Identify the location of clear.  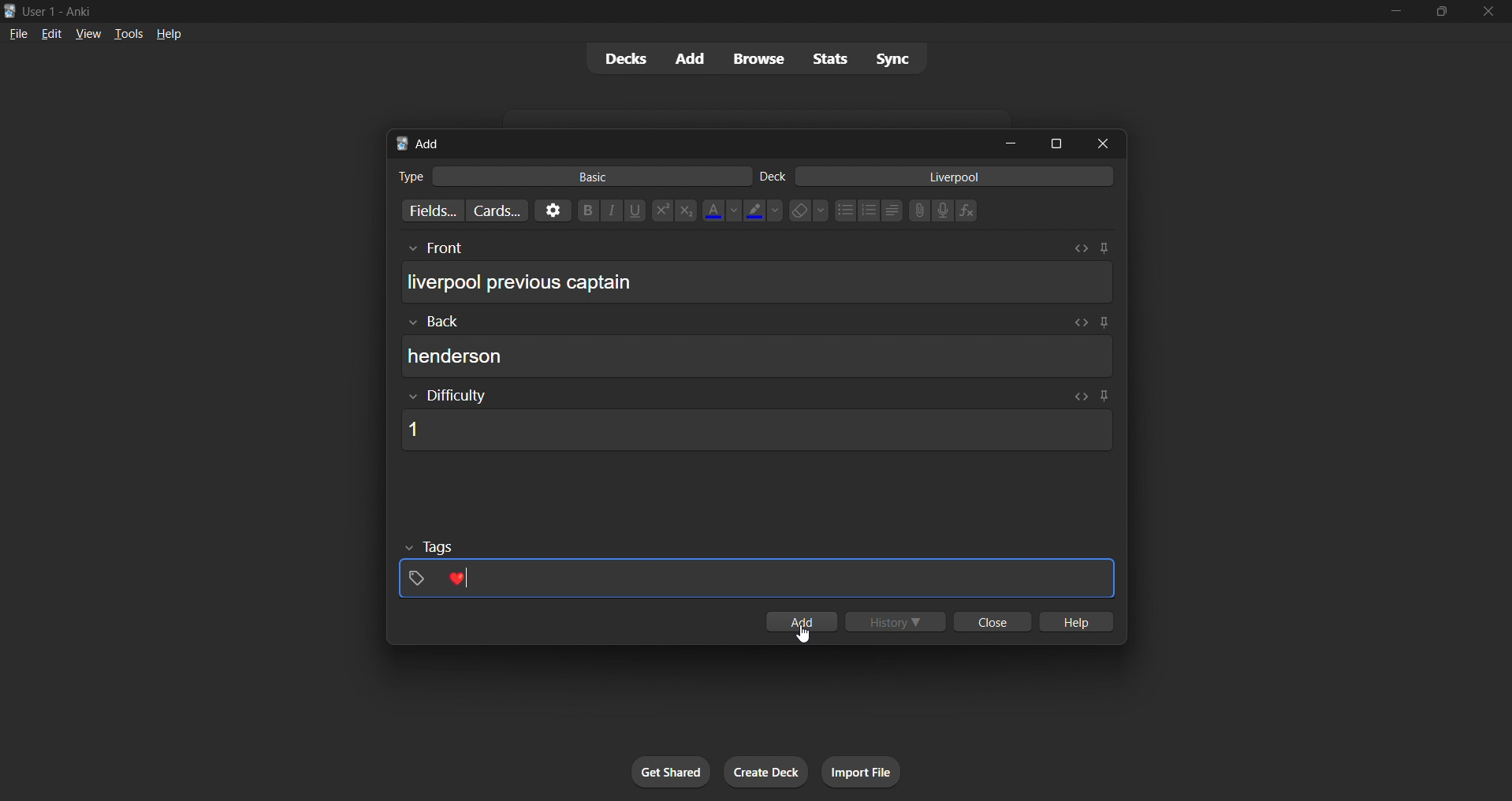
(808, 210).